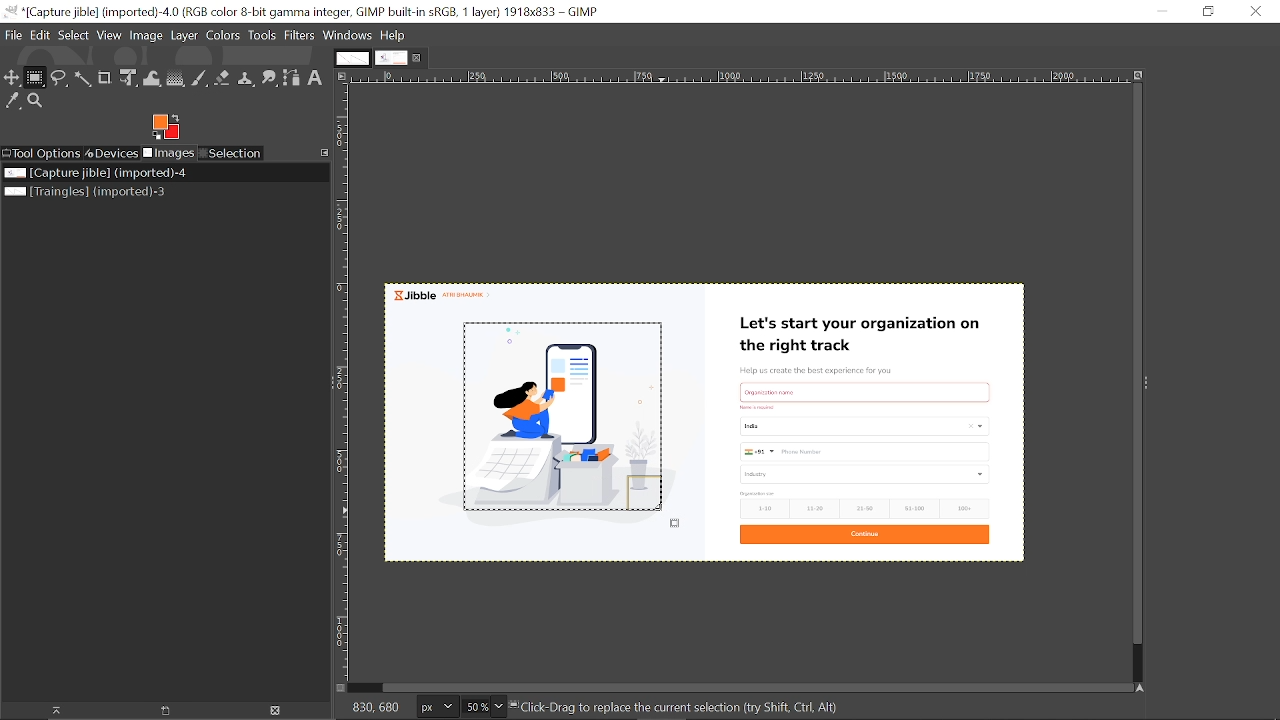  I want to click on Current tab, so click(392, 58).